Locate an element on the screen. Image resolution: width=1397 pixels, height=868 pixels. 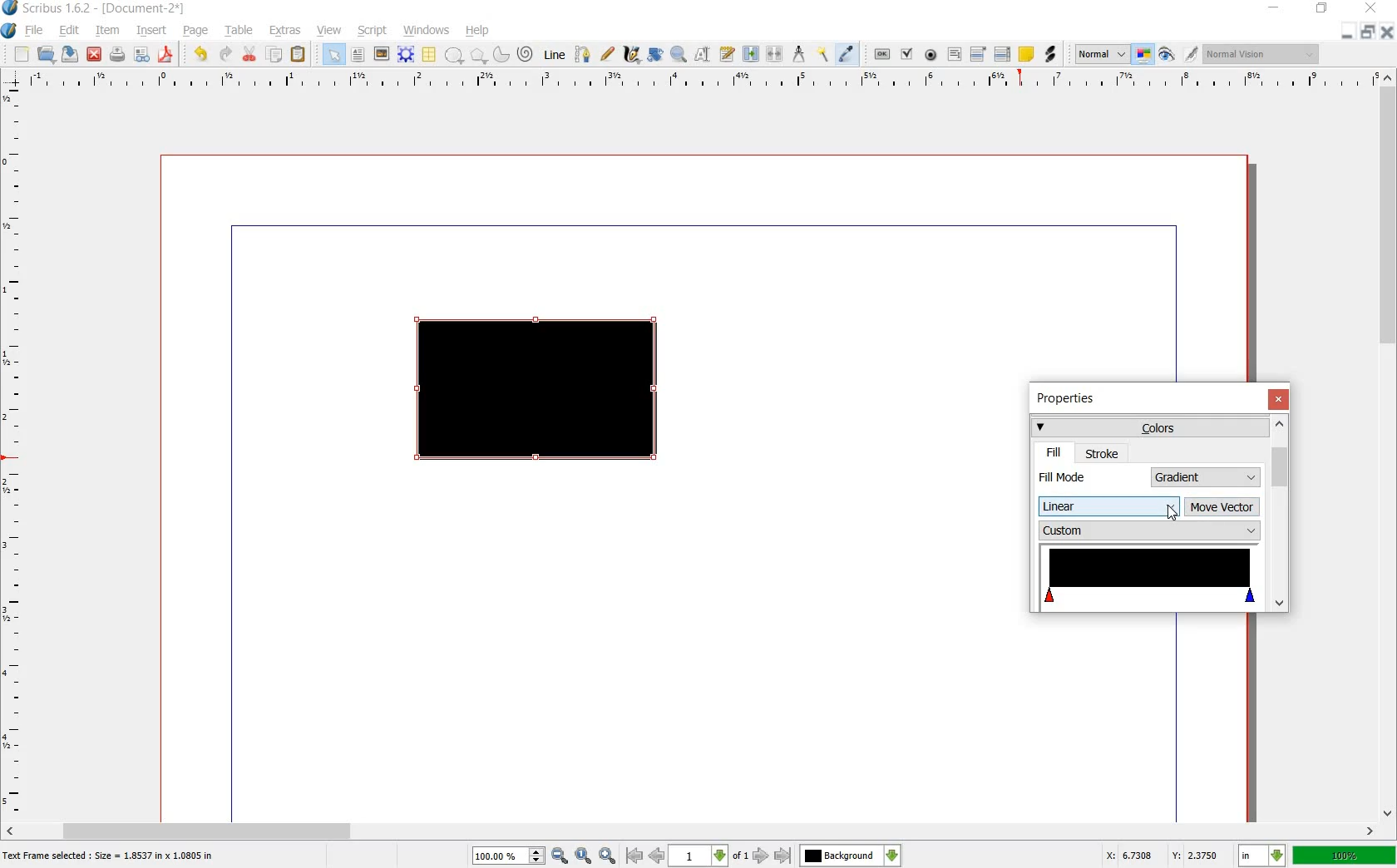
save as pdf is located at coordinates (165, 55).